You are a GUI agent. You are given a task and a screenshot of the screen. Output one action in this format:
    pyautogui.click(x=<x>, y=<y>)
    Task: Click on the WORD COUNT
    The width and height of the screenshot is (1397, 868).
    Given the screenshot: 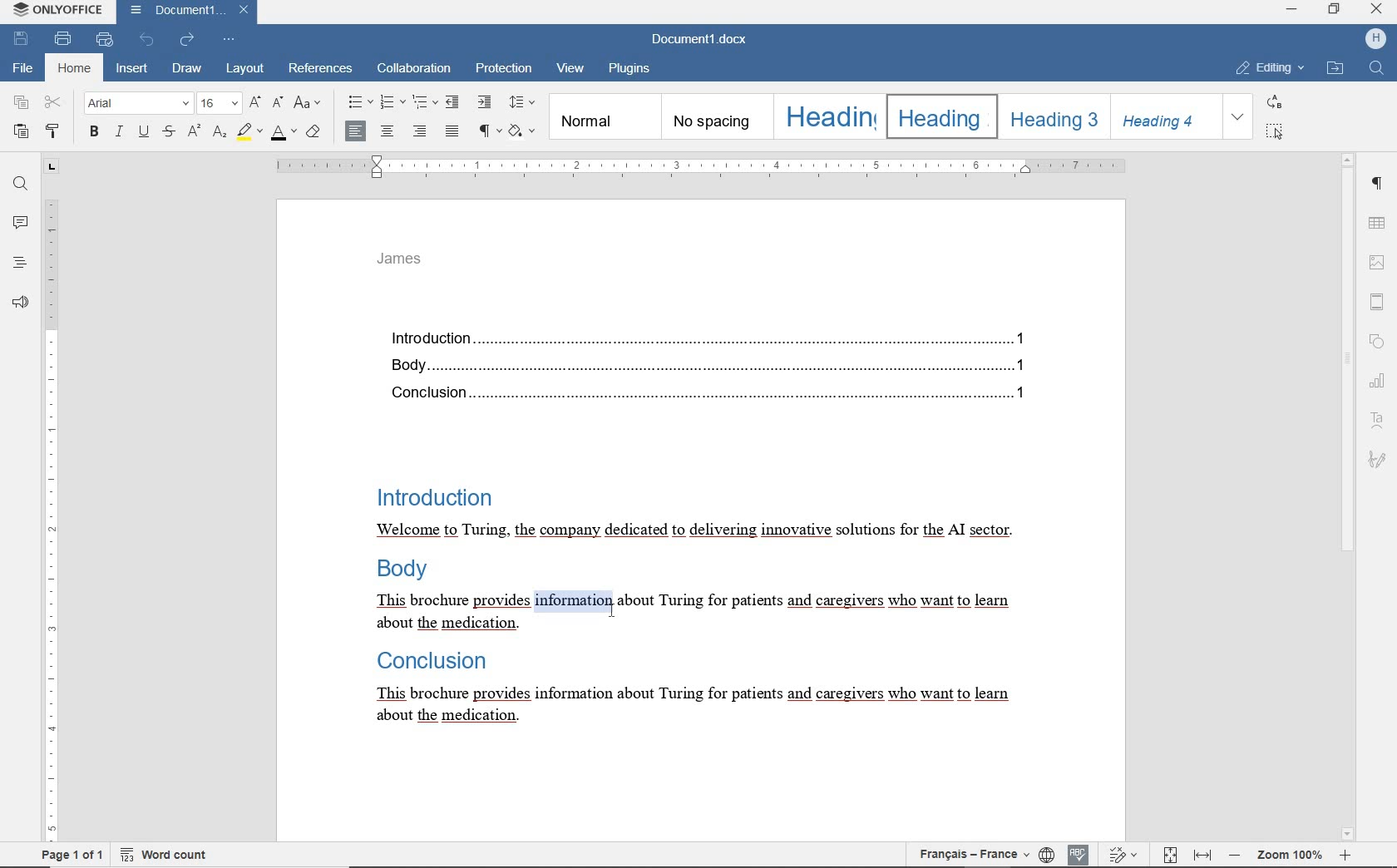 What is the action you would take?
    pyautogui.click(x=164, y=855)
    